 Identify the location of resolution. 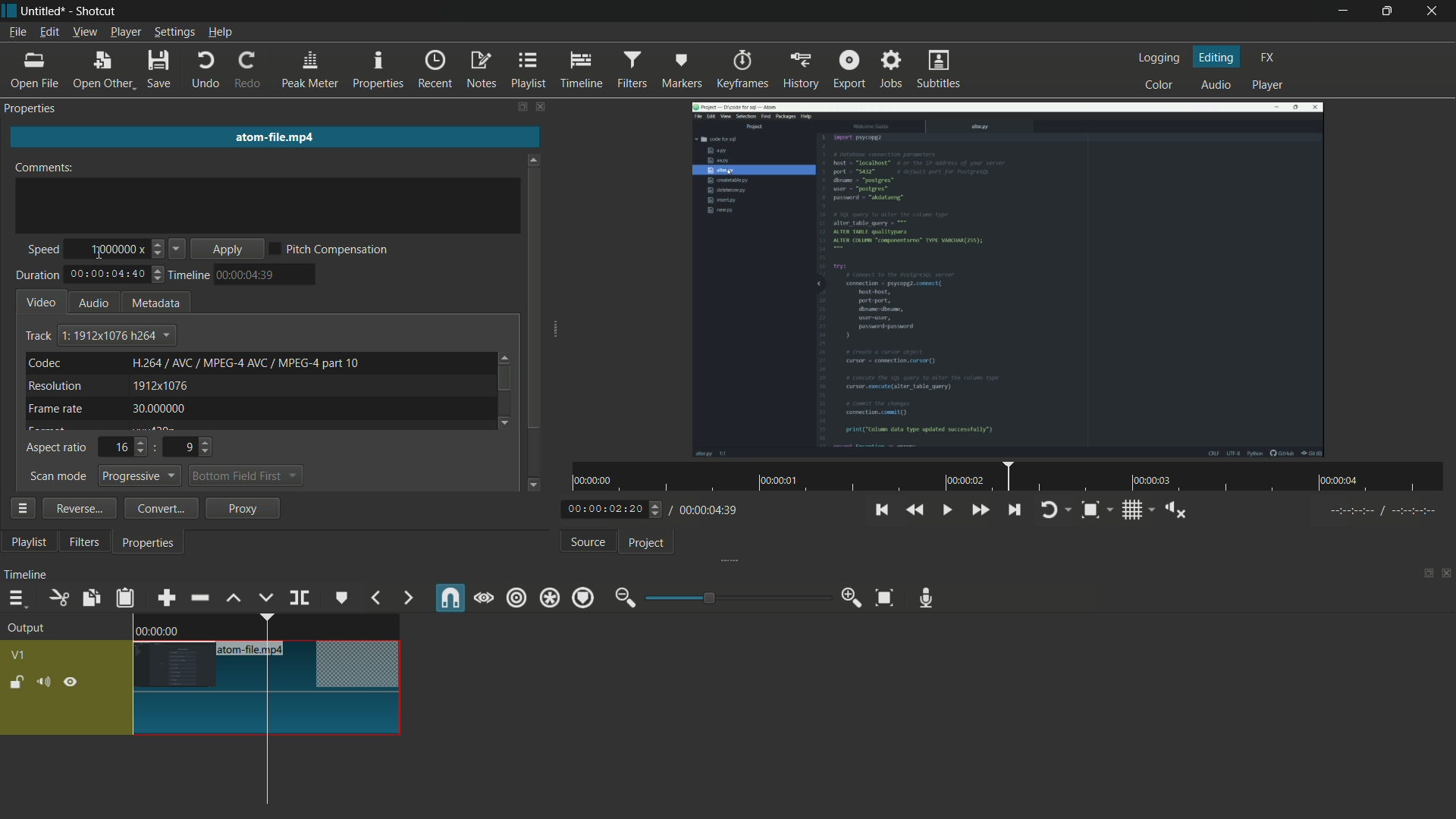
(55, 386).